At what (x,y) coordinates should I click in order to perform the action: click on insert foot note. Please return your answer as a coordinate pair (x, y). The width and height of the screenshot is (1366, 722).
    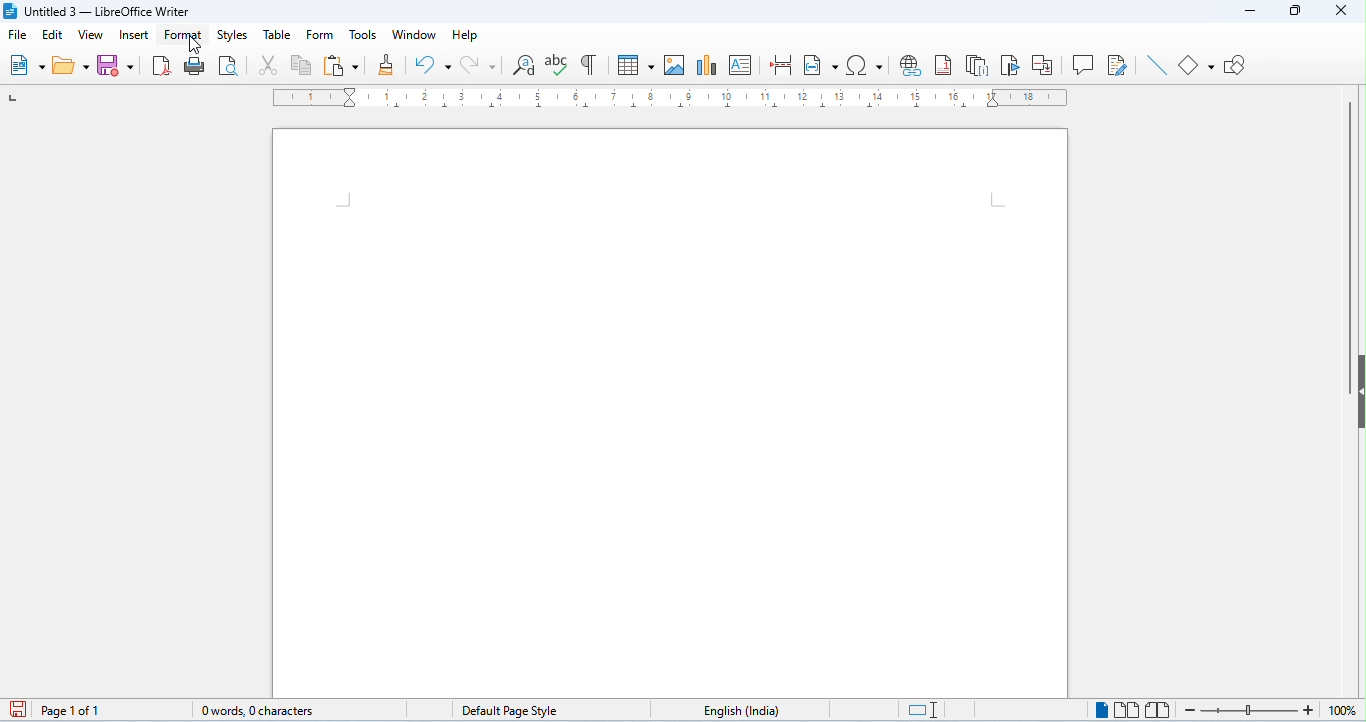
    Looking at the image, I should click on (944, 65).